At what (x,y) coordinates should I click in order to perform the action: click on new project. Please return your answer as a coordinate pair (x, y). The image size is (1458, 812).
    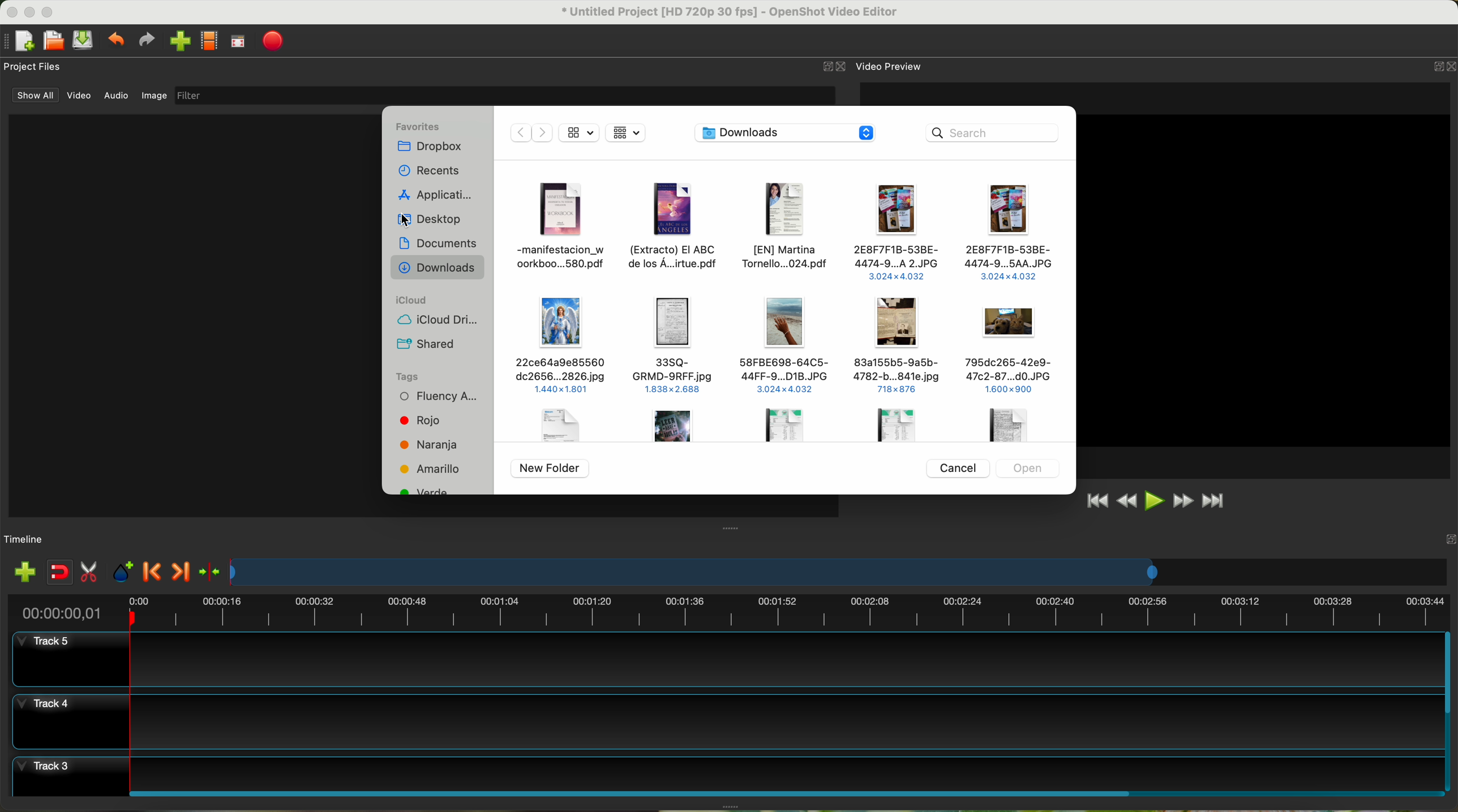
    Looking at the image, I should click on (19, 41).